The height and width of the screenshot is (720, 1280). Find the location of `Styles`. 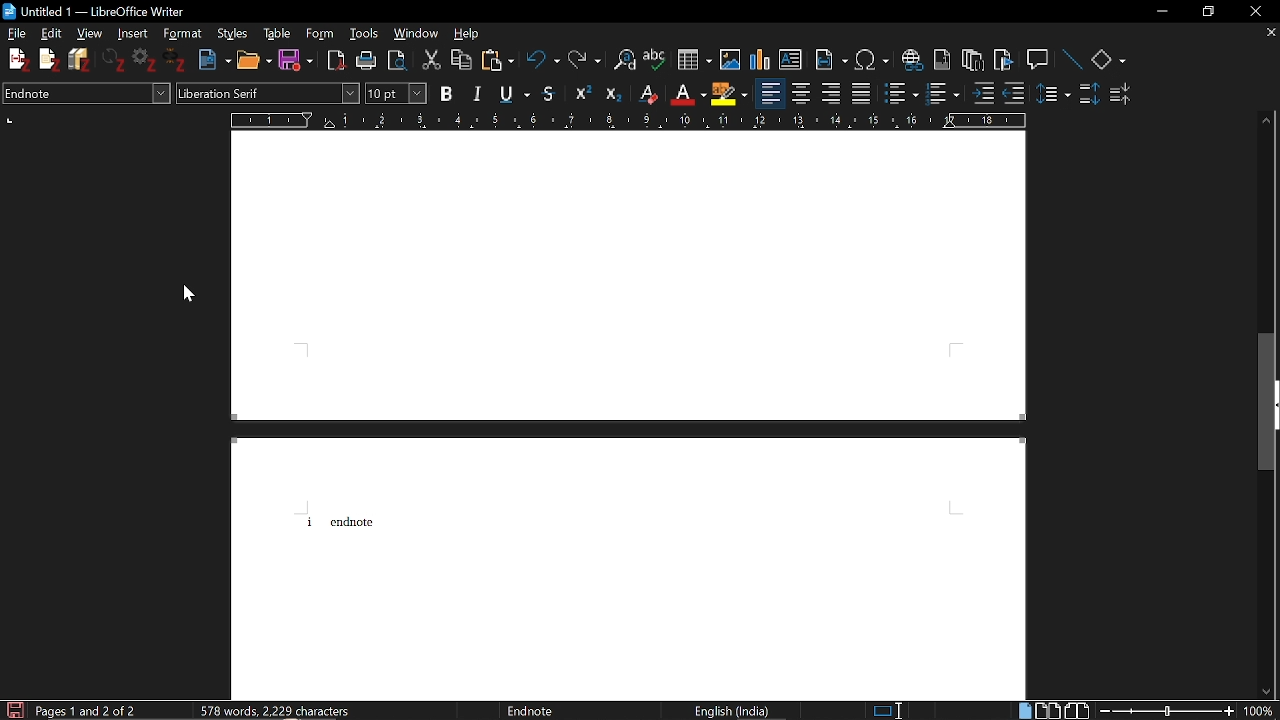

Styles is located at coordinates (233, 33).